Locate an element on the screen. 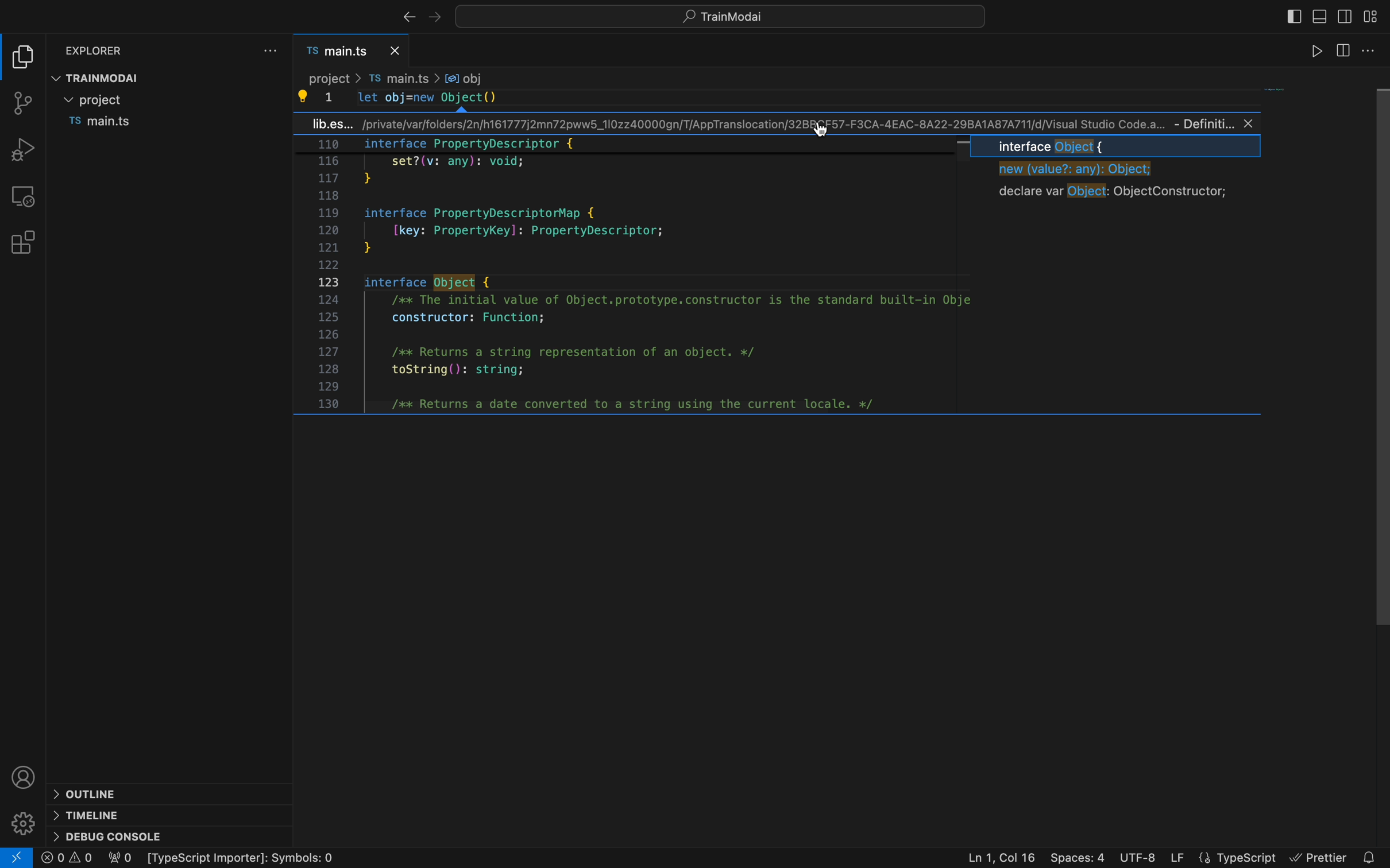  file explore is located at coordinates (25, 55).